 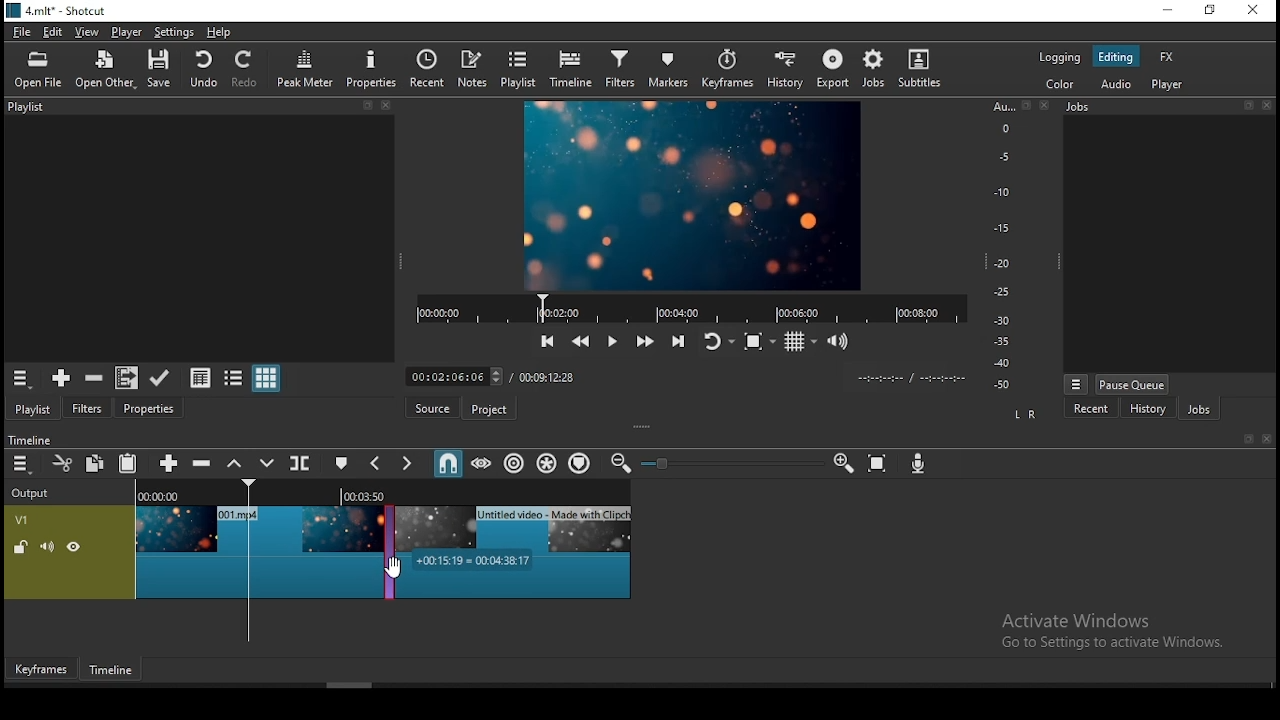 I want to click on jobs, so click(x=1172, y=107).